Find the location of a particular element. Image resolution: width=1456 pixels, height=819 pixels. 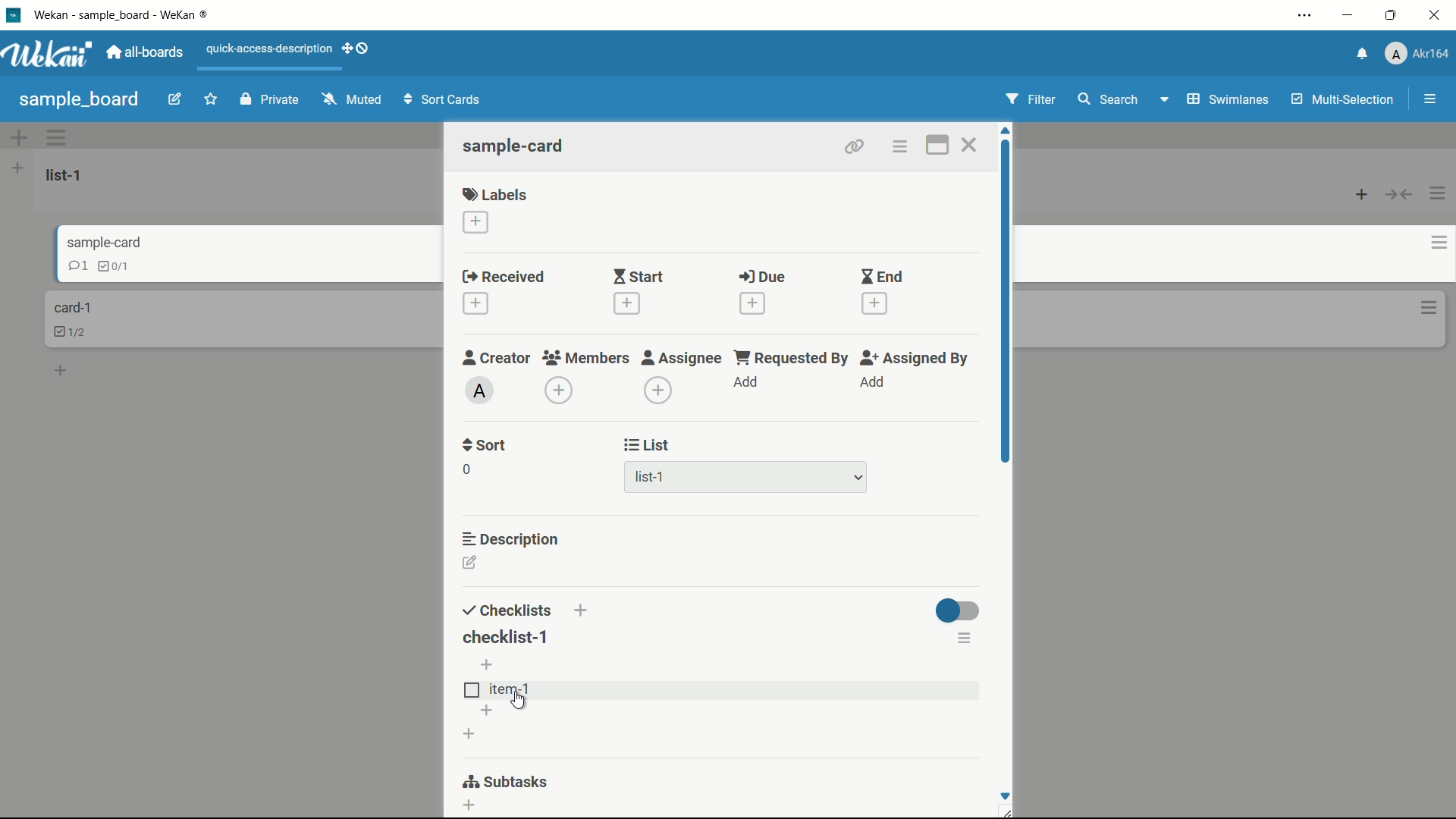

swimlanes is located at coordinates (1226, 101).